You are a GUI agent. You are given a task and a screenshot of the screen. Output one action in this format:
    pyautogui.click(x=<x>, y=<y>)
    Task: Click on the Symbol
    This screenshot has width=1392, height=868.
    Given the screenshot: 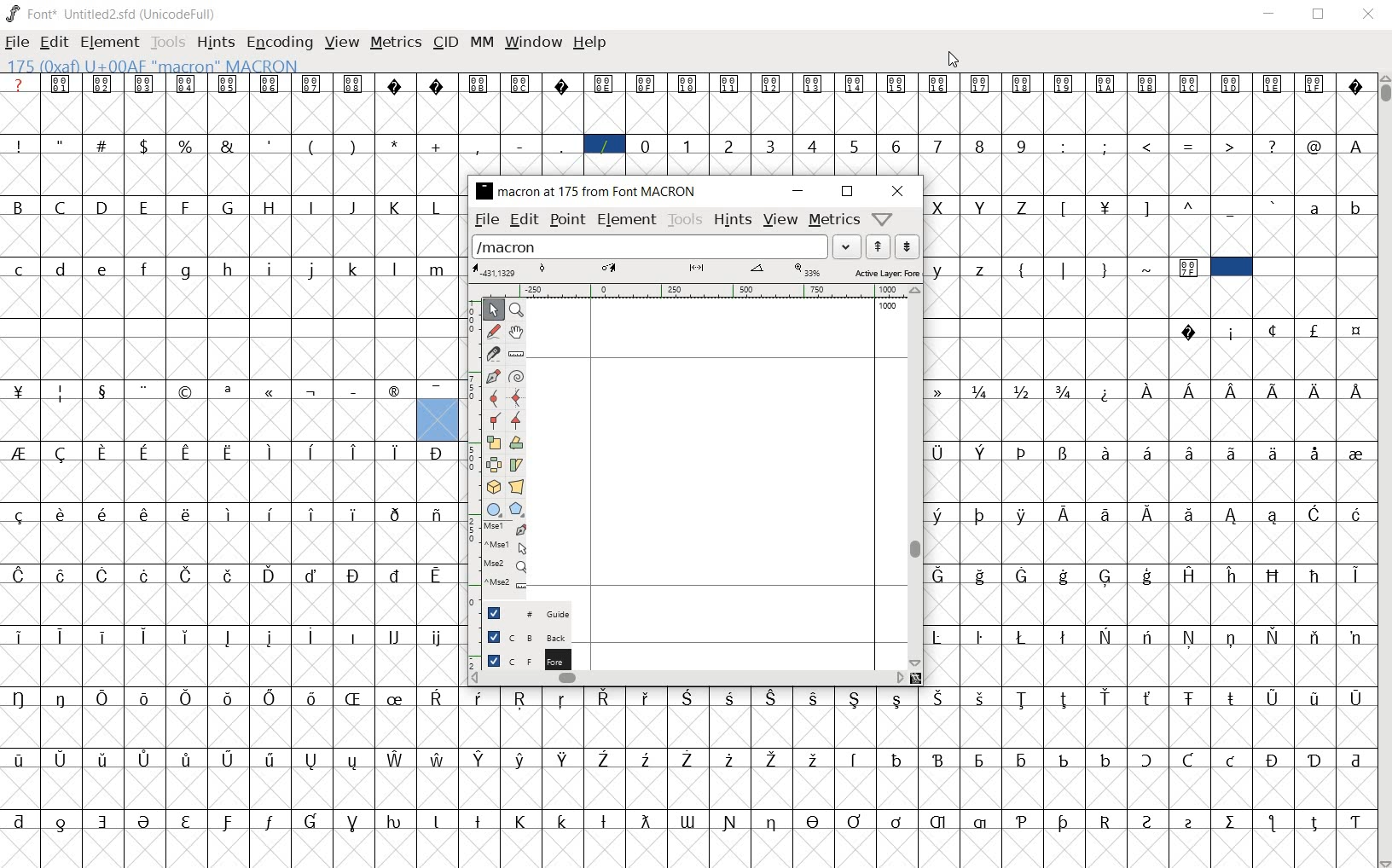 What is the action you would take?
    pyautogui.click(x=1273, y=515)
    